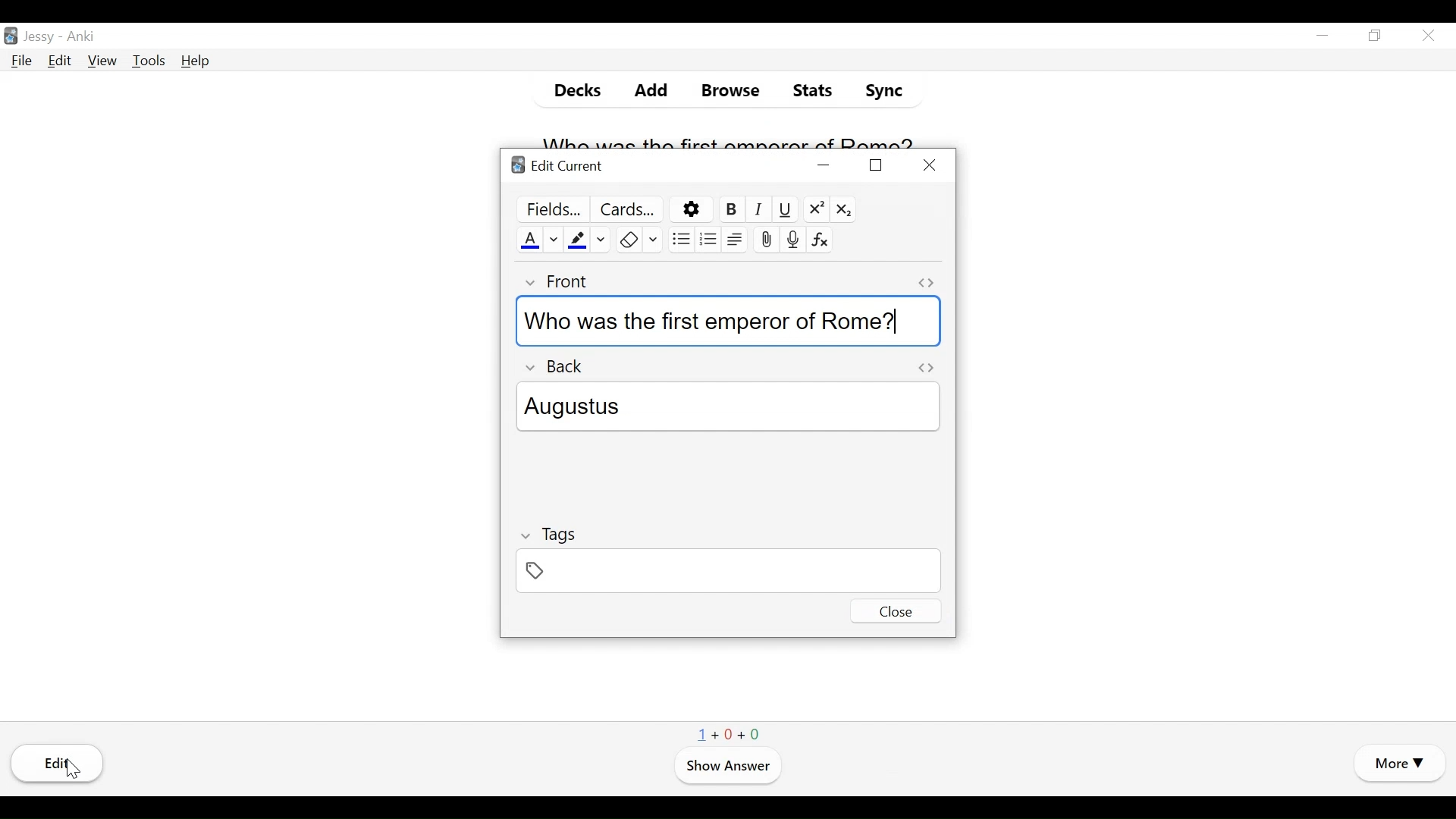 This screenshot has height=819, width=1456. What do you see at coordinates (679, 238) in the screenshot?
I see `Unordered list` at bounding box center [679, 238].